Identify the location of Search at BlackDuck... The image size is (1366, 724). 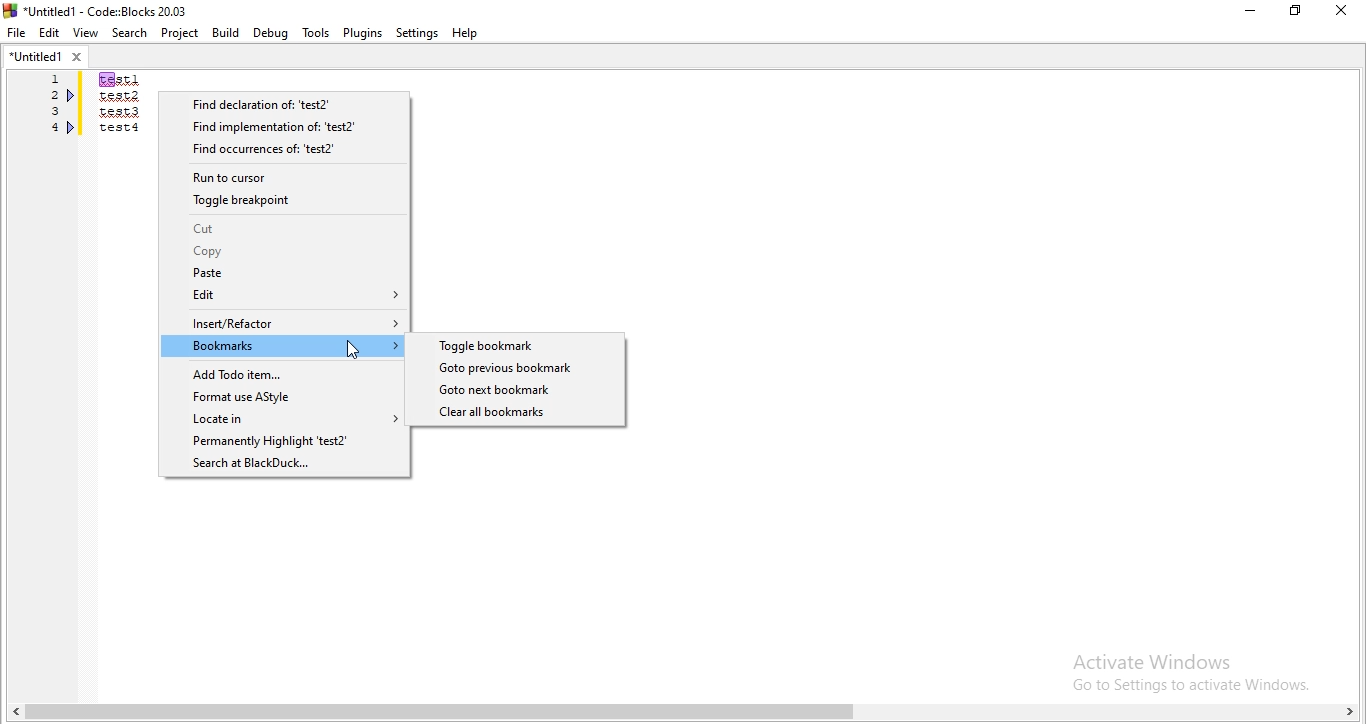
(284, 465).